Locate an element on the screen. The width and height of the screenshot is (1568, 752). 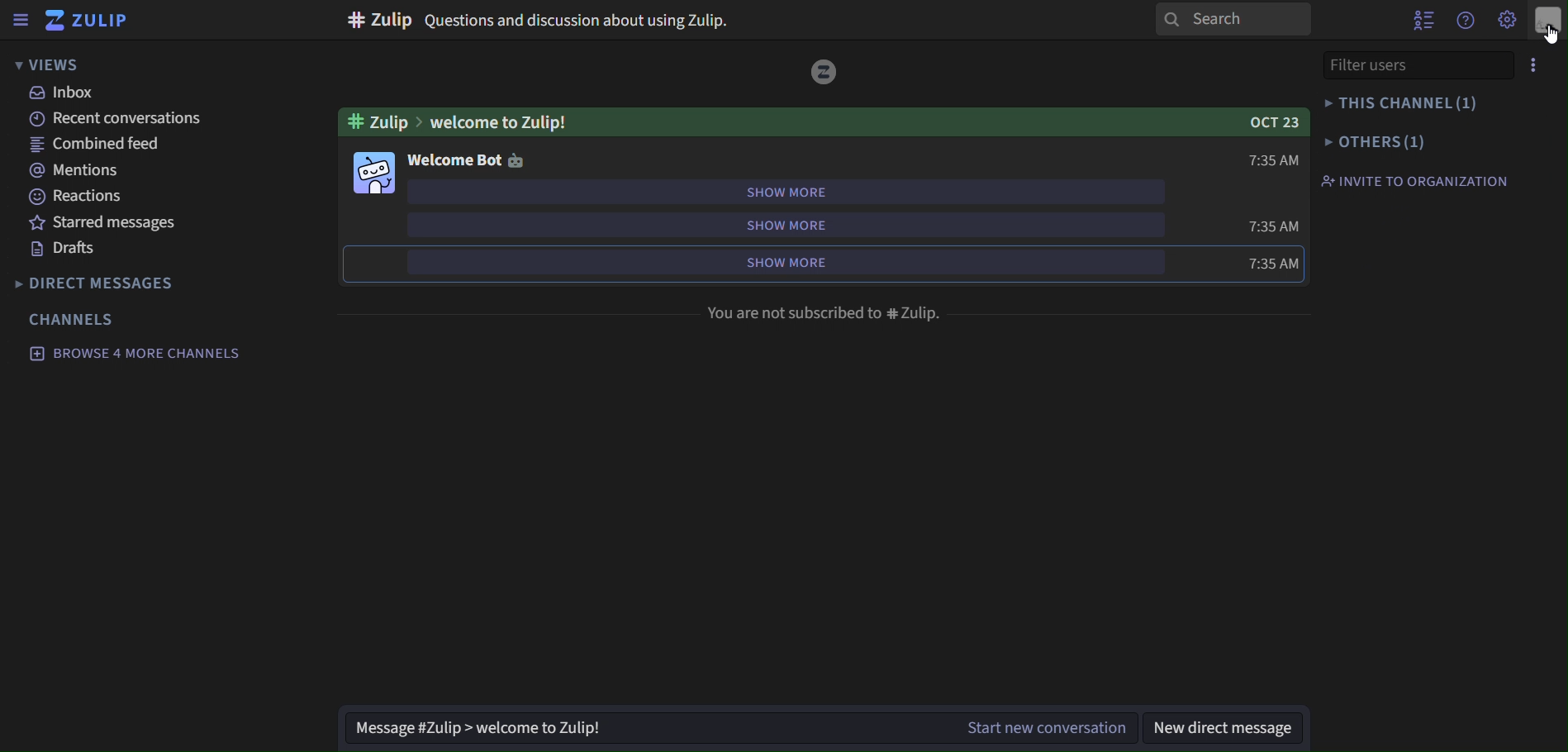
7:35 AM is located at coordinates (1271, 226).